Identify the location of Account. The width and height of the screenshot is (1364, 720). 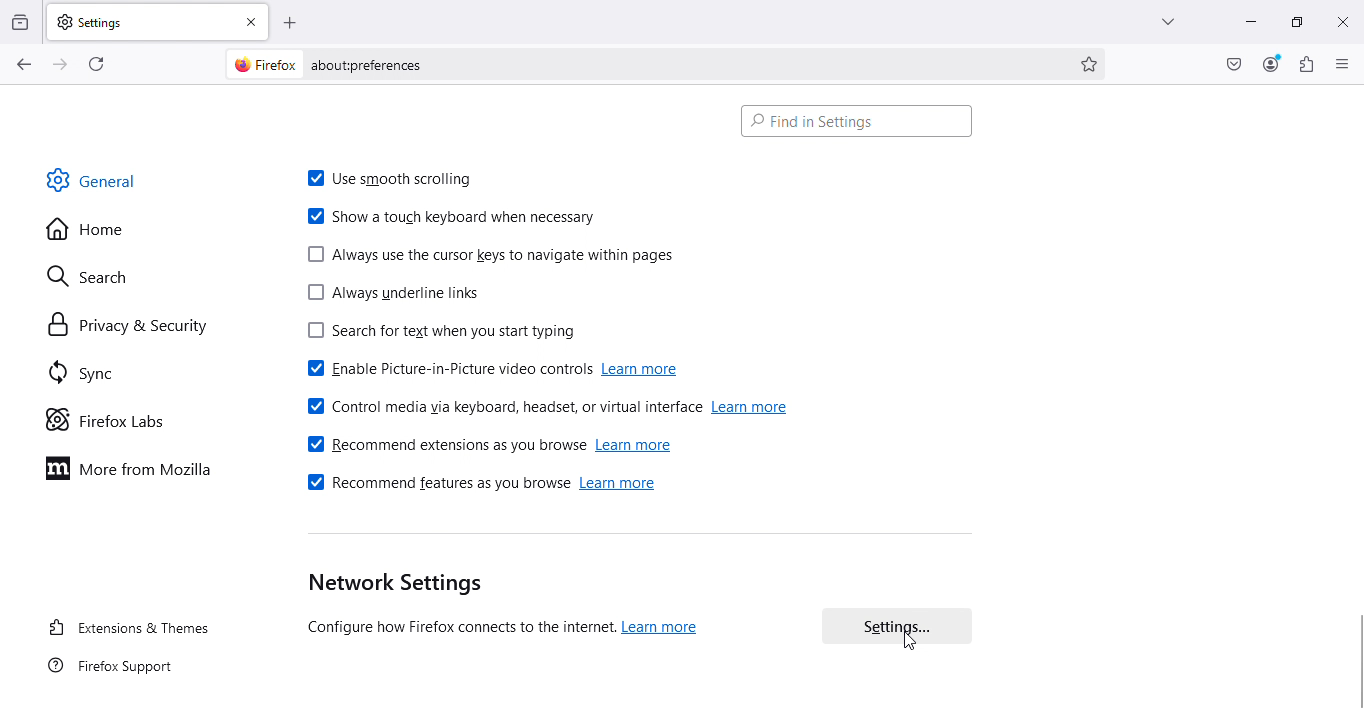
(1271, 64).